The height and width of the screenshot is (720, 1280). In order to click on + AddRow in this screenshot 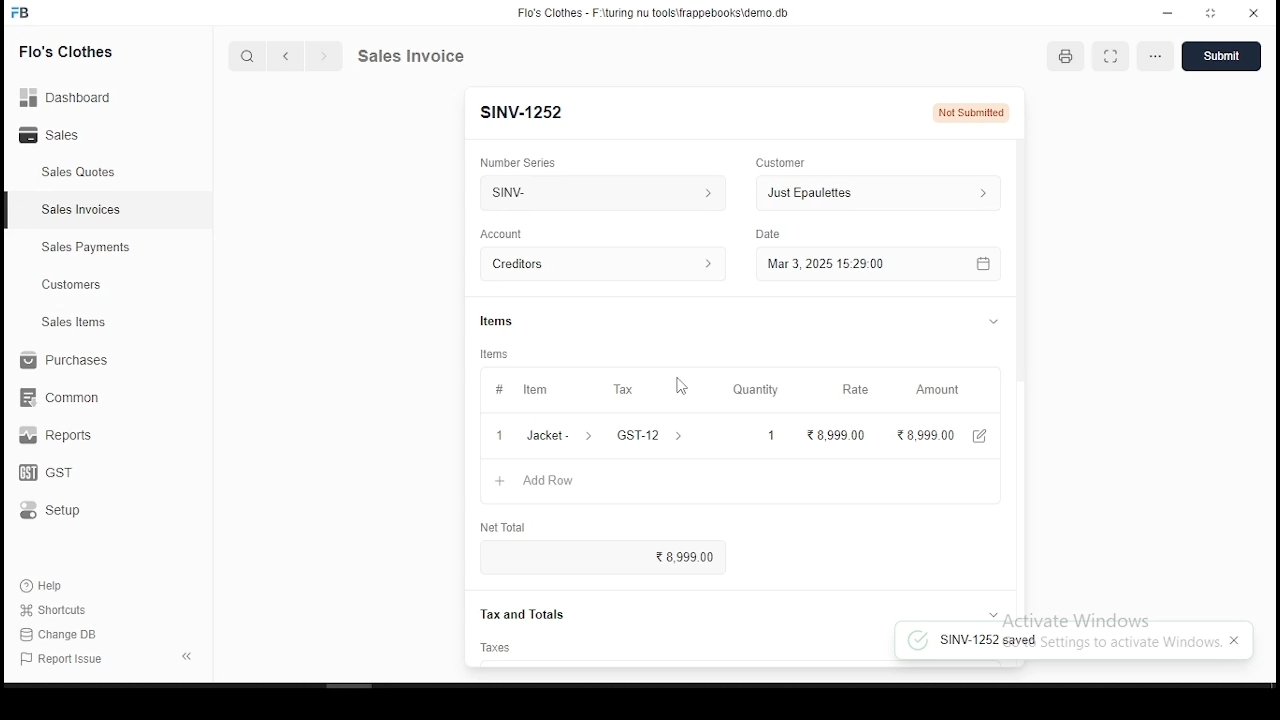, I will do `click(730, 481)`.